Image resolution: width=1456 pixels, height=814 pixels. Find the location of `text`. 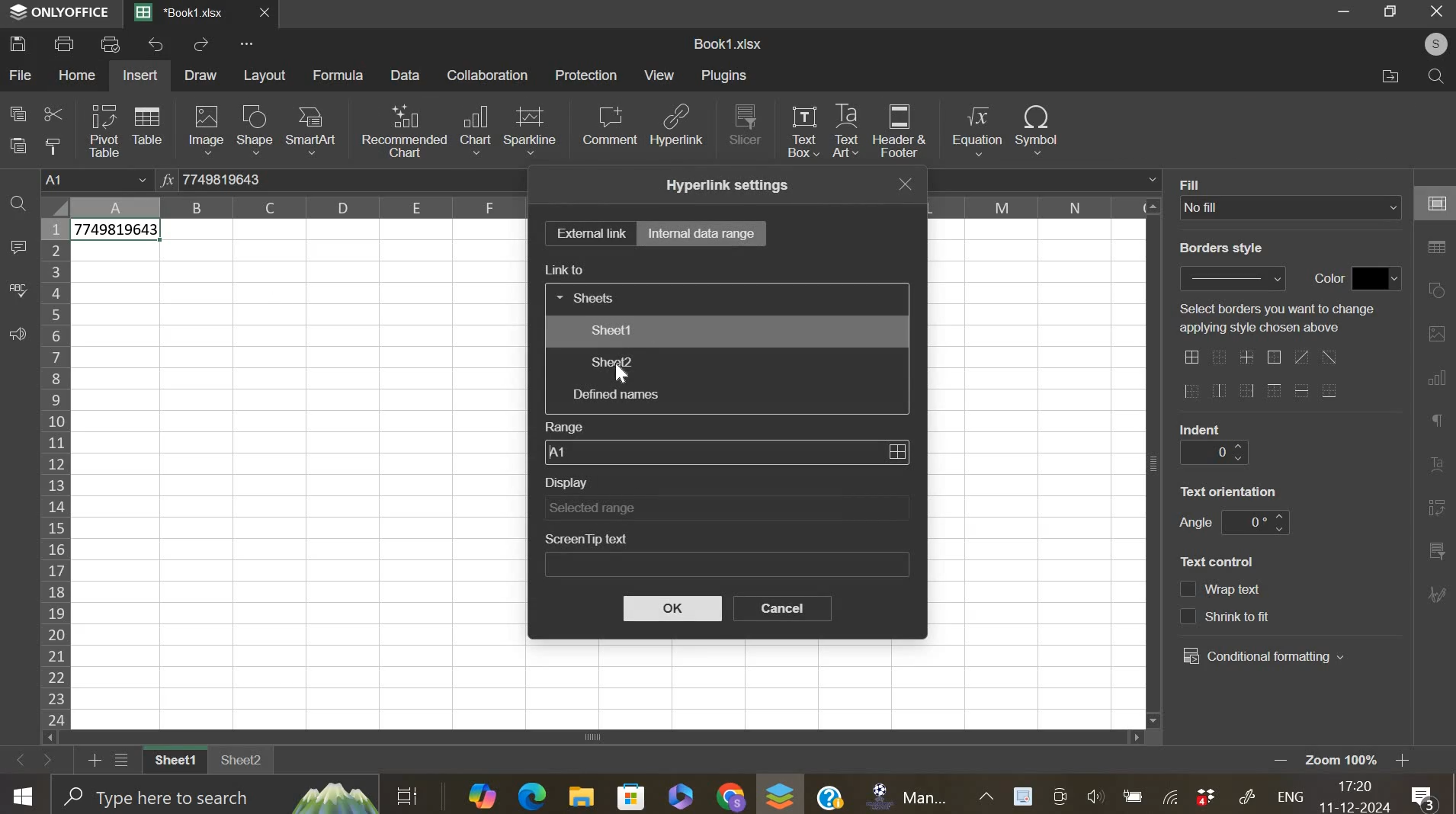

text is located at coordinates (1220, 248).